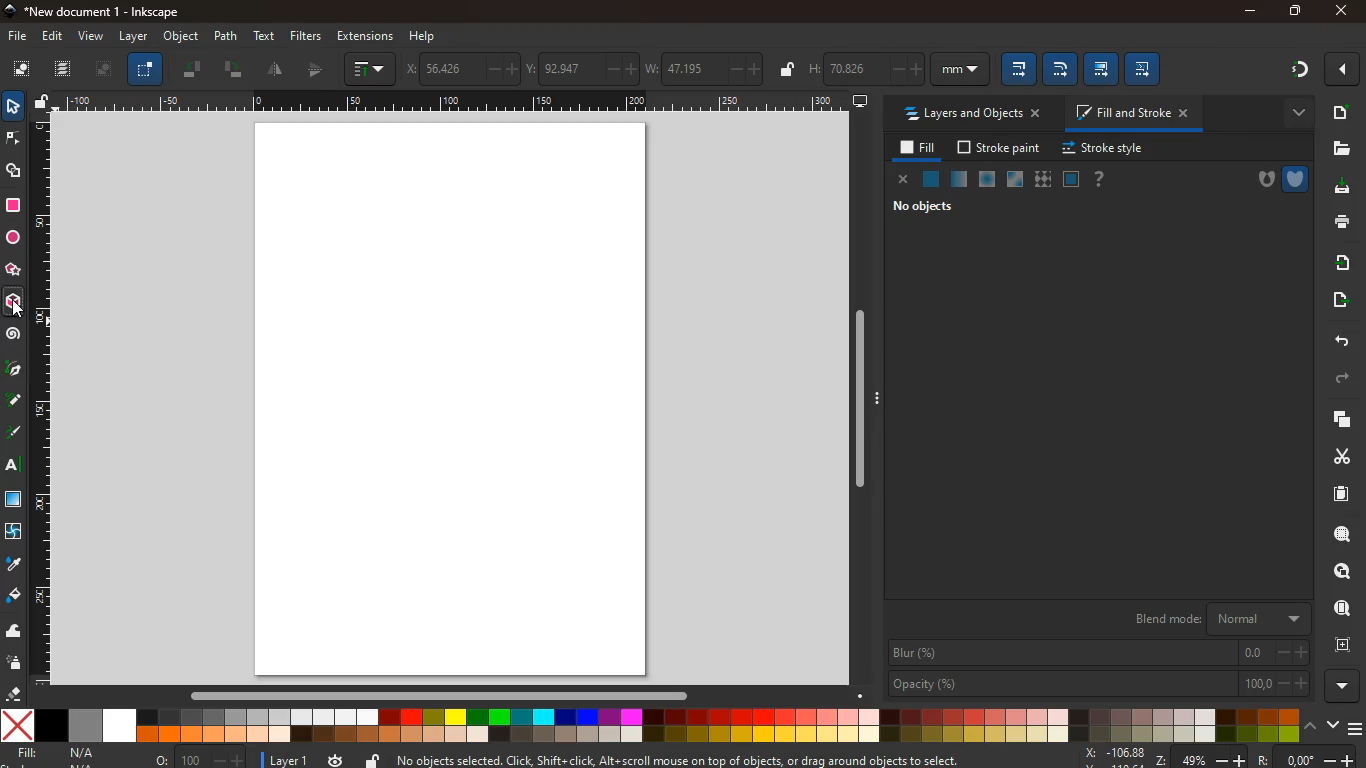 This screenshot has width=1366, height=768. What do you see at coordinates (1334, 456) in the screenshot?
I see `cut` at bounding box center [1334, 456].